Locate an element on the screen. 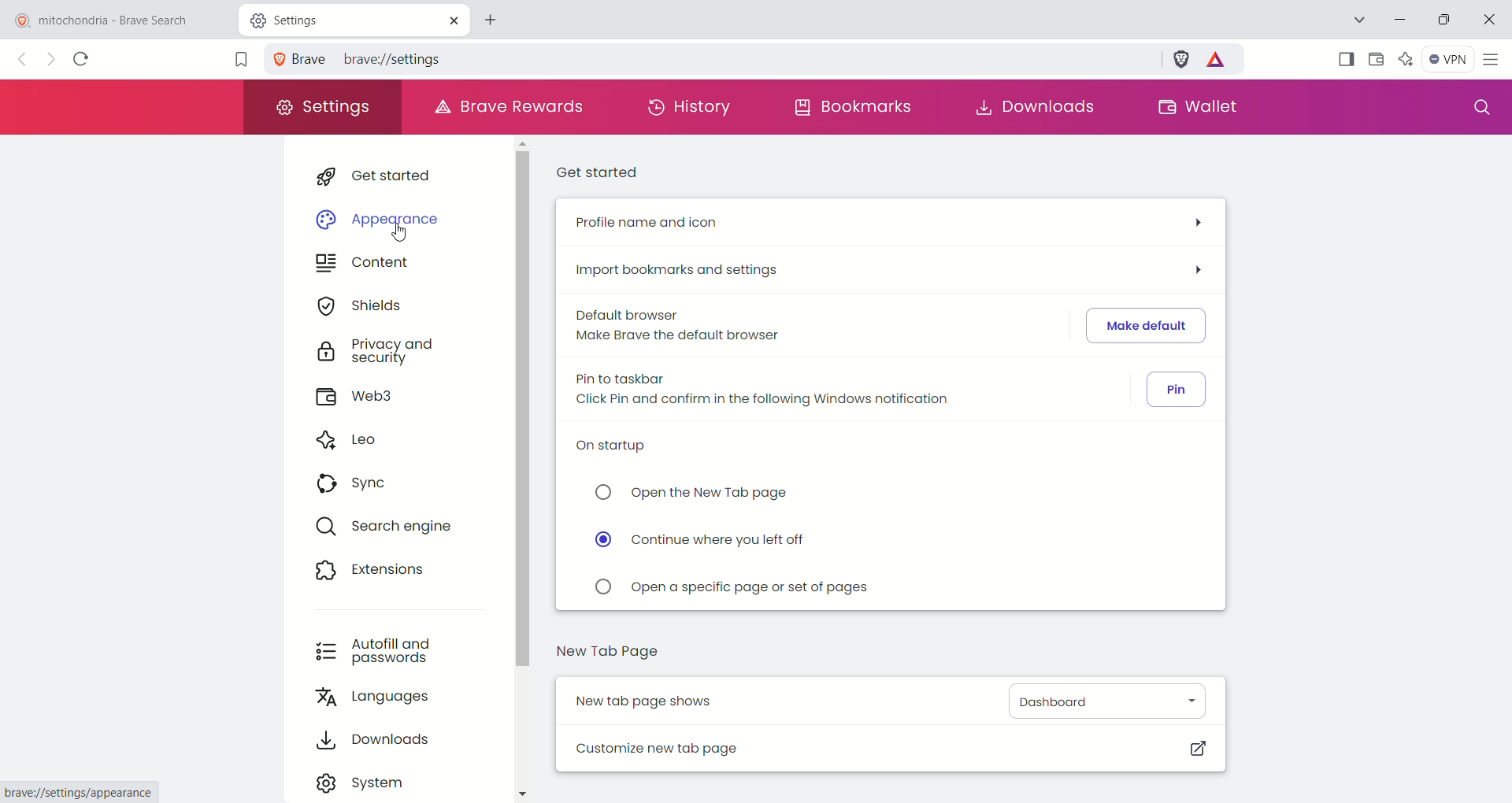 The image size is (1512, 803). Brave is located at coordinates (298, 58).